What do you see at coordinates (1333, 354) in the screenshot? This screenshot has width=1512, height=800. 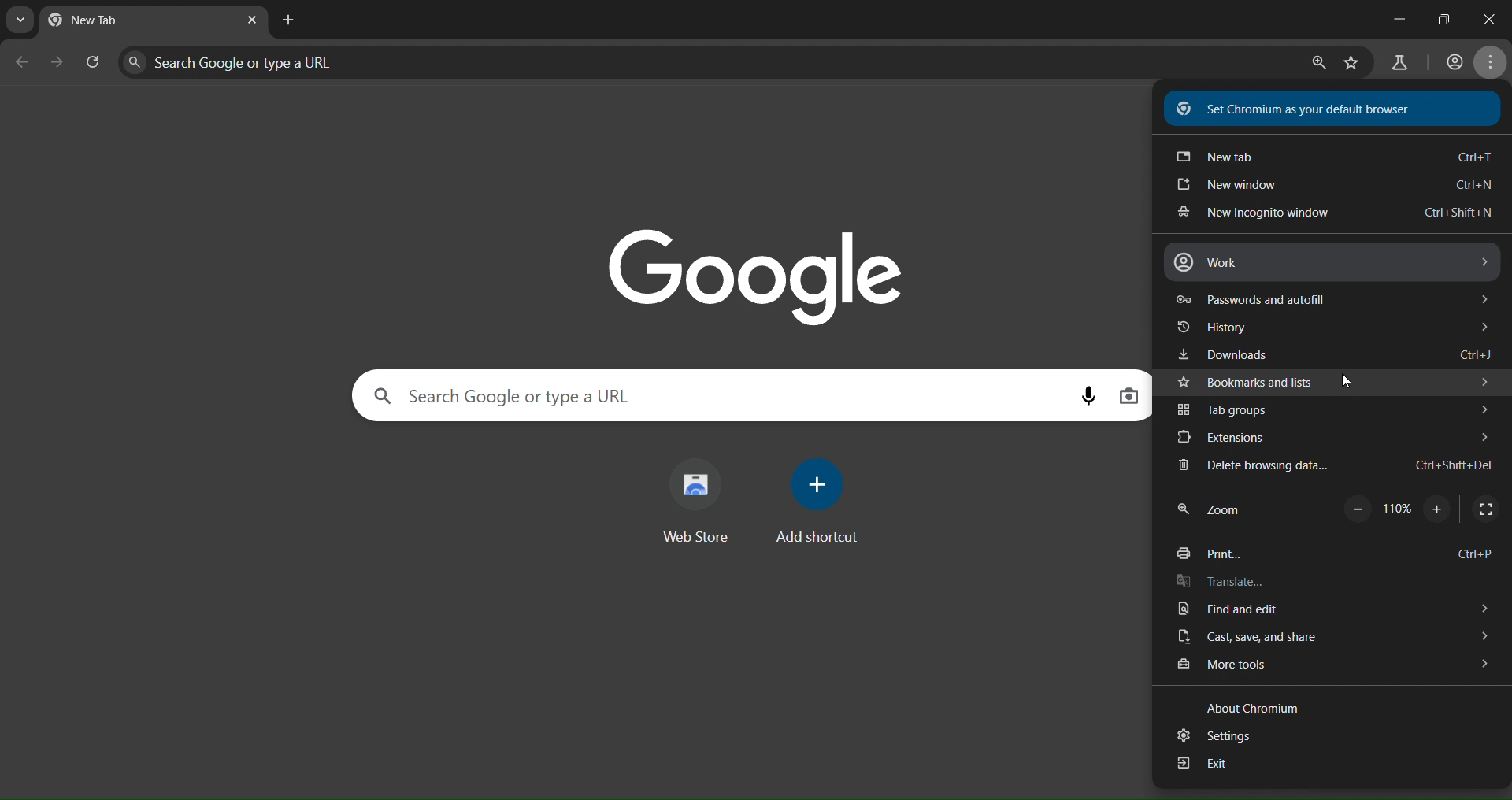 I see `downloads` at bounding box center [1333, 354].